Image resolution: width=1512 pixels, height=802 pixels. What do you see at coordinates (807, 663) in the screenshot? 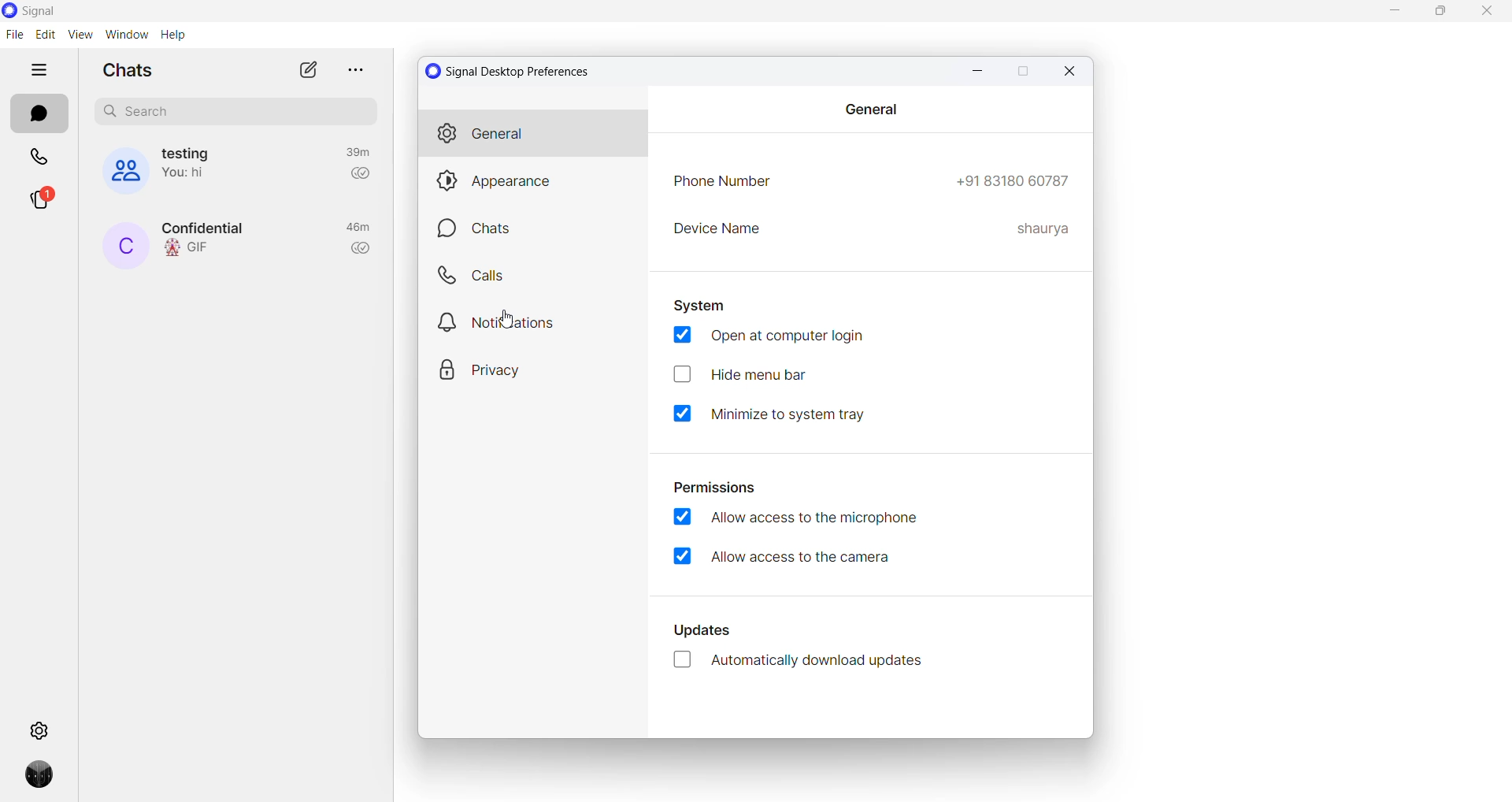
I see `updates checkbox` at bounding box center [807, 663].